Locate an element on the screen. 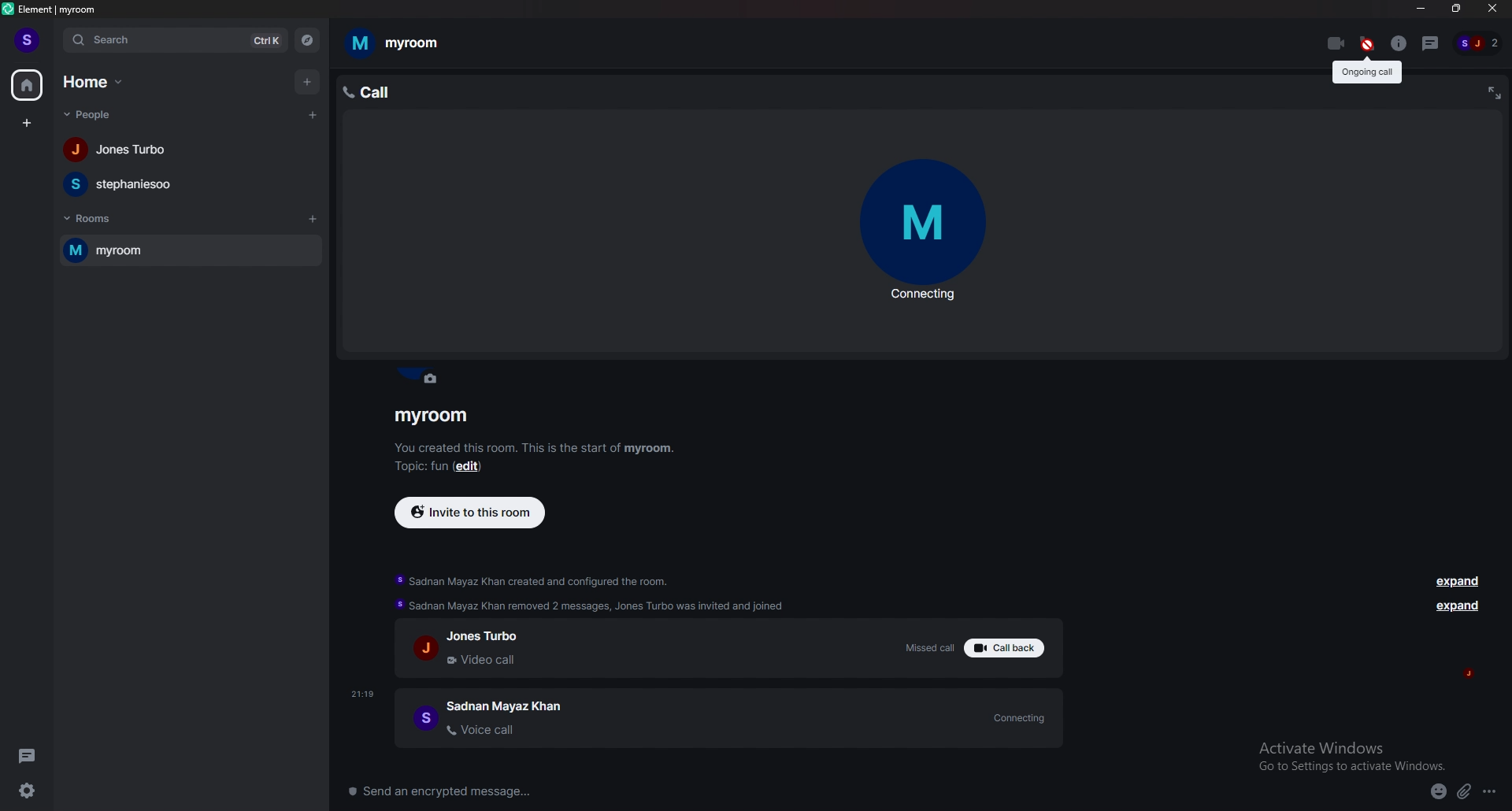  J Jones Turbo Video call is located at coordinates (496, 650).